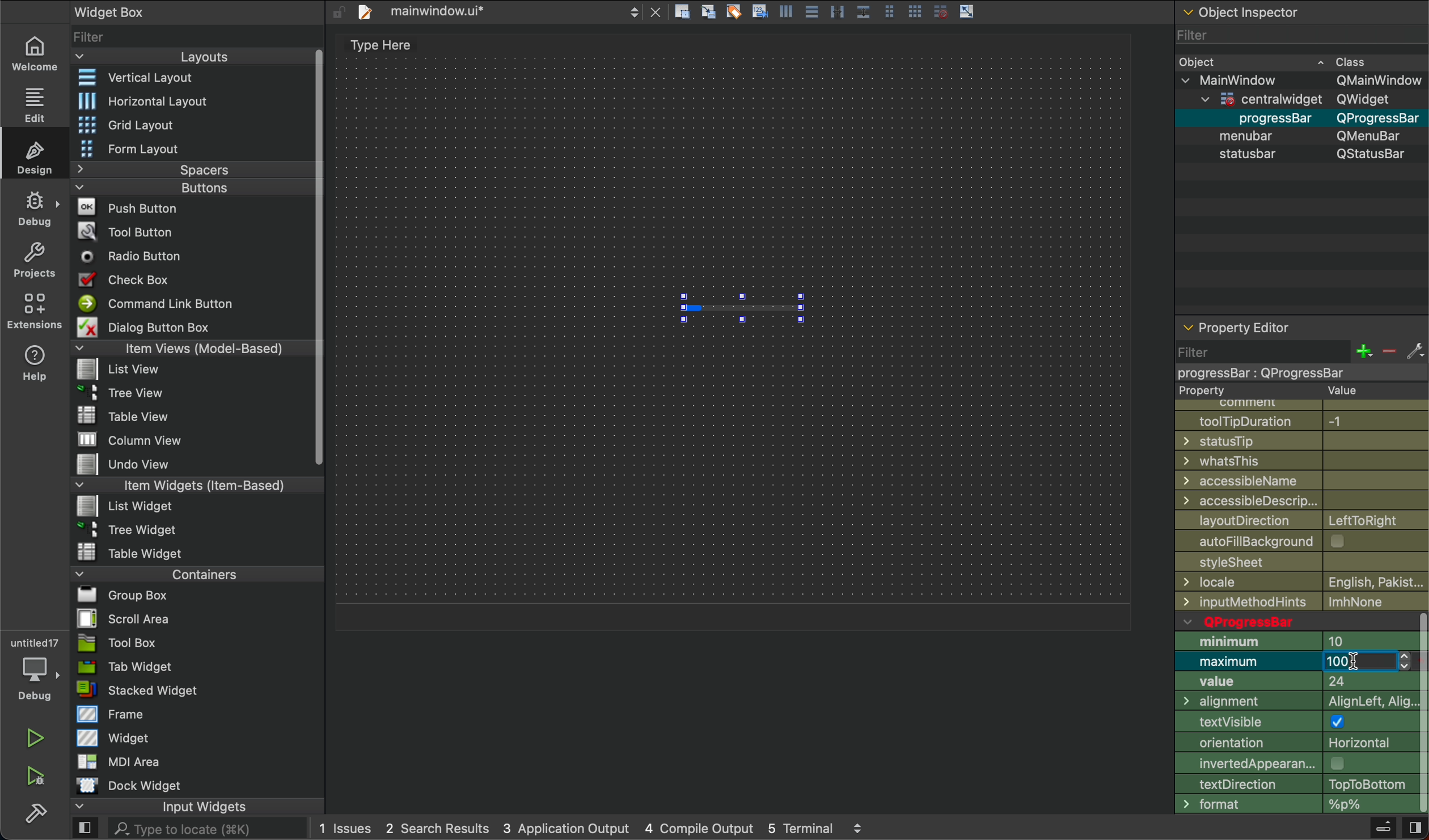 Image resolution: width=1429 pixels, height=840 pixels. What do you see at coordinates (143, 149) in the screenshot?
I see `Form Layout` at bounding box center [143, 149].